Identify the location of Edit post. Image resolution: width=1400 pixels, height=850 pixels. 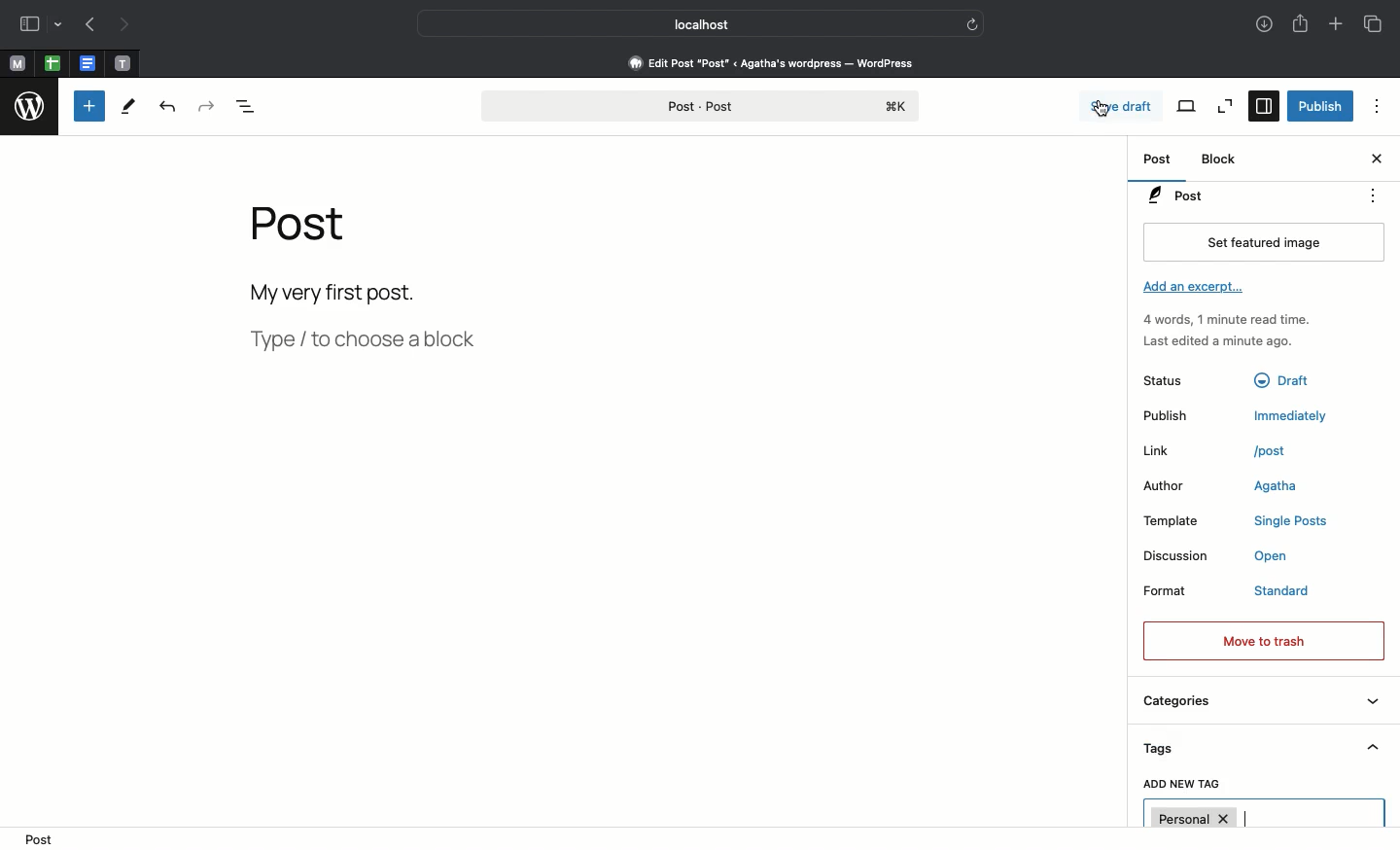
(784, 62).